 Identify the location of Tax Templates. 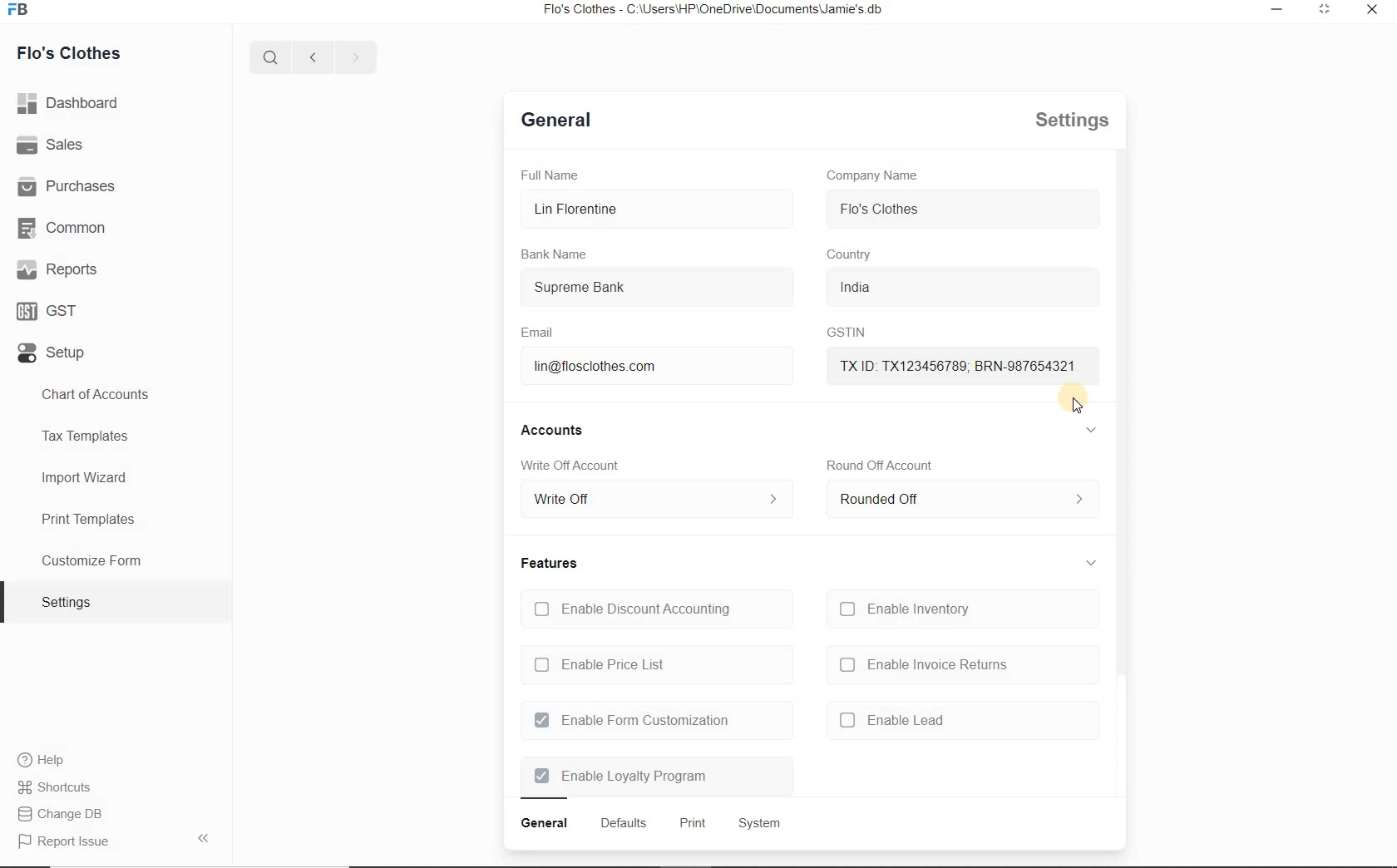
(87, 437).